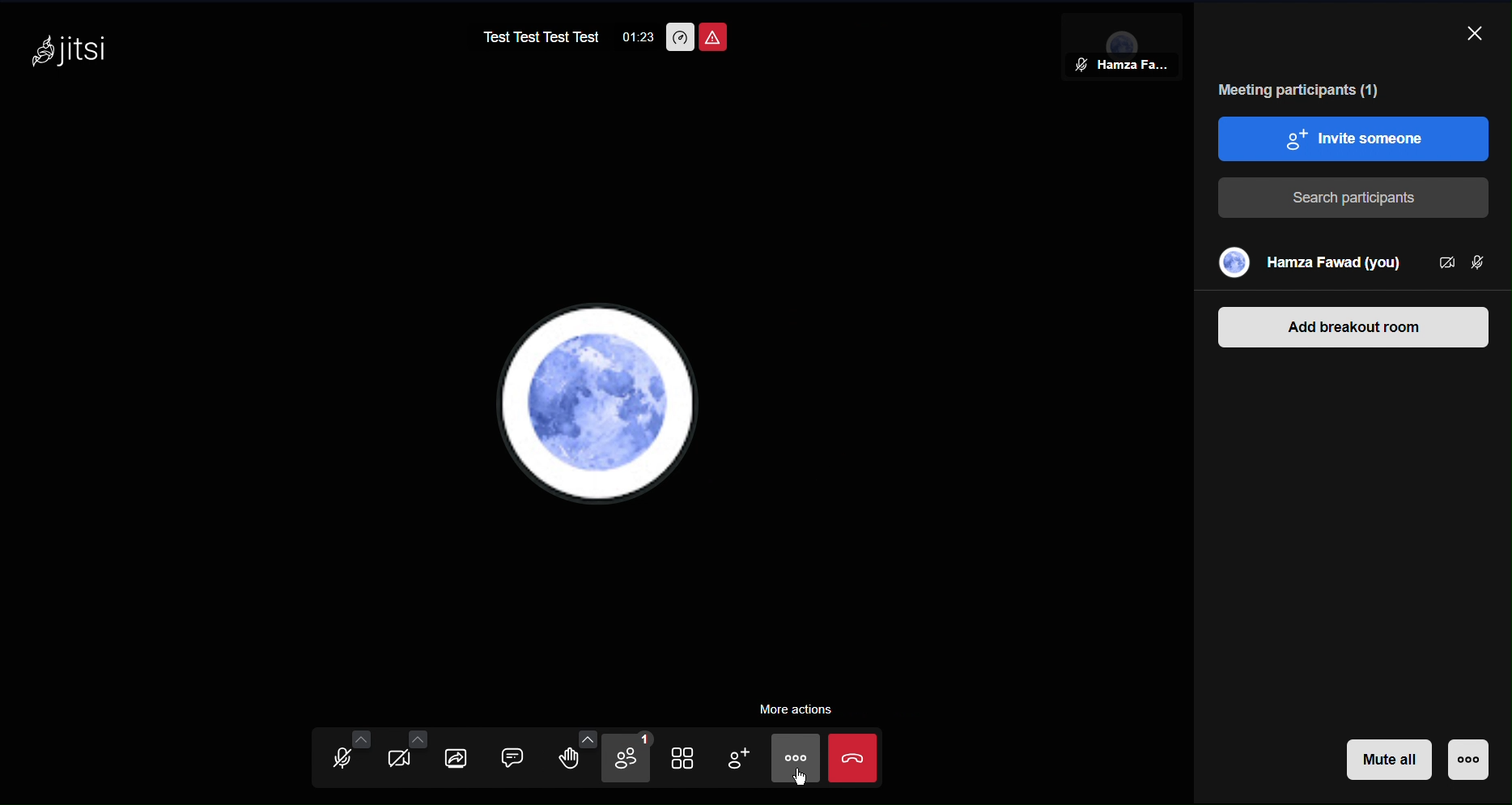 This screenshot has height=805, width=1512. Describe the element at coordinates (600, 402) in the screenshot. I see `Account PFP` at that location.